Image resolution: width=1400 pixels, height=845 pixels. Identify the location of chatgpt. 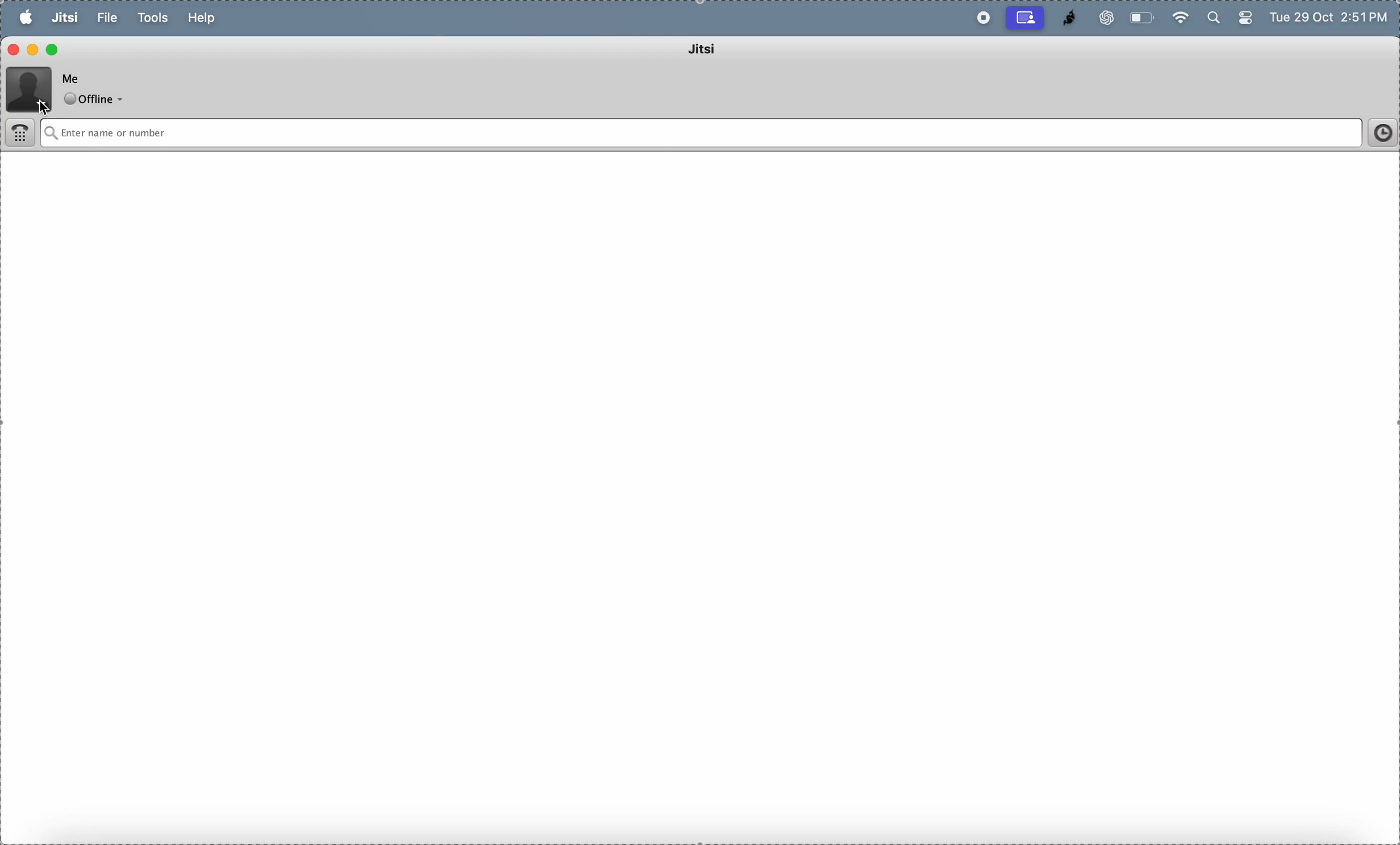
(1102, 18).